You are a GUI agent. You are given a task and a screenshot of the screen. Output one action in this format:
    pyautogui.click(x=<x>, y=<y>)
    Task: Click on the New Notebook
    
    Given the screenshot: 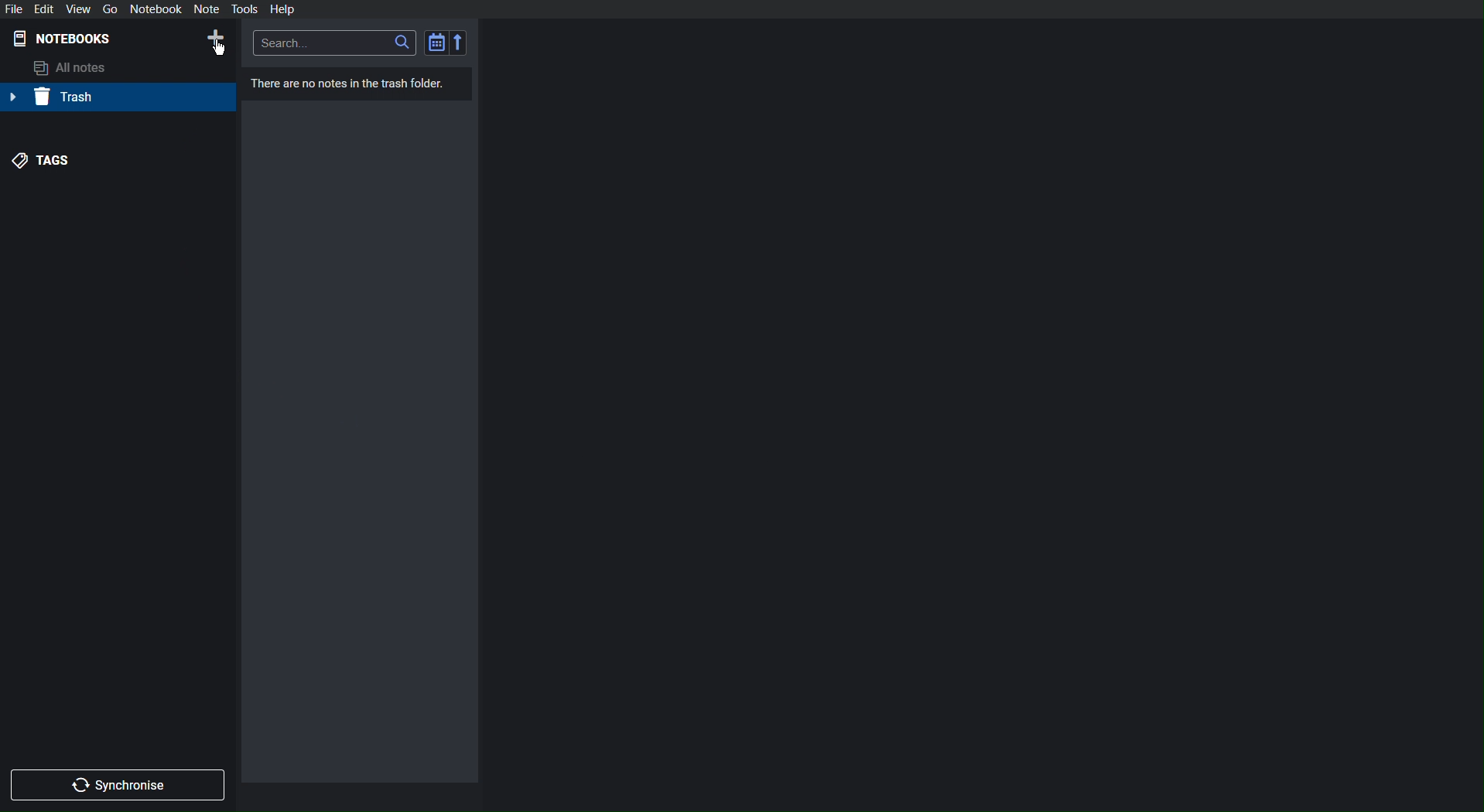 What is the action you would take?
    pyautogui.click(x=214, y=38)
    